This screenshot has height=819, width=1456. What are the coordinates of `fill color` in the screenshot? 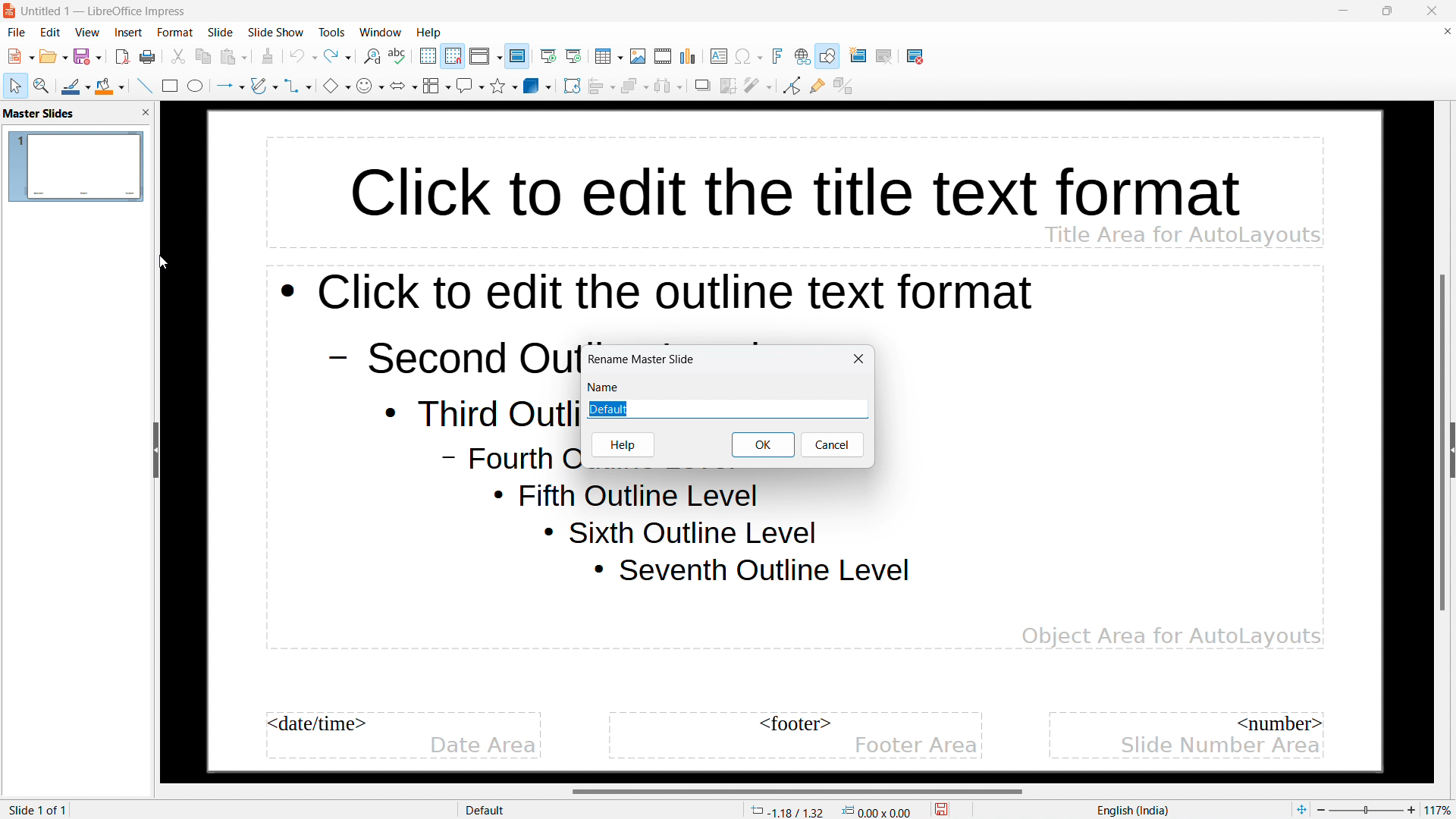 It's located at (111, 86).